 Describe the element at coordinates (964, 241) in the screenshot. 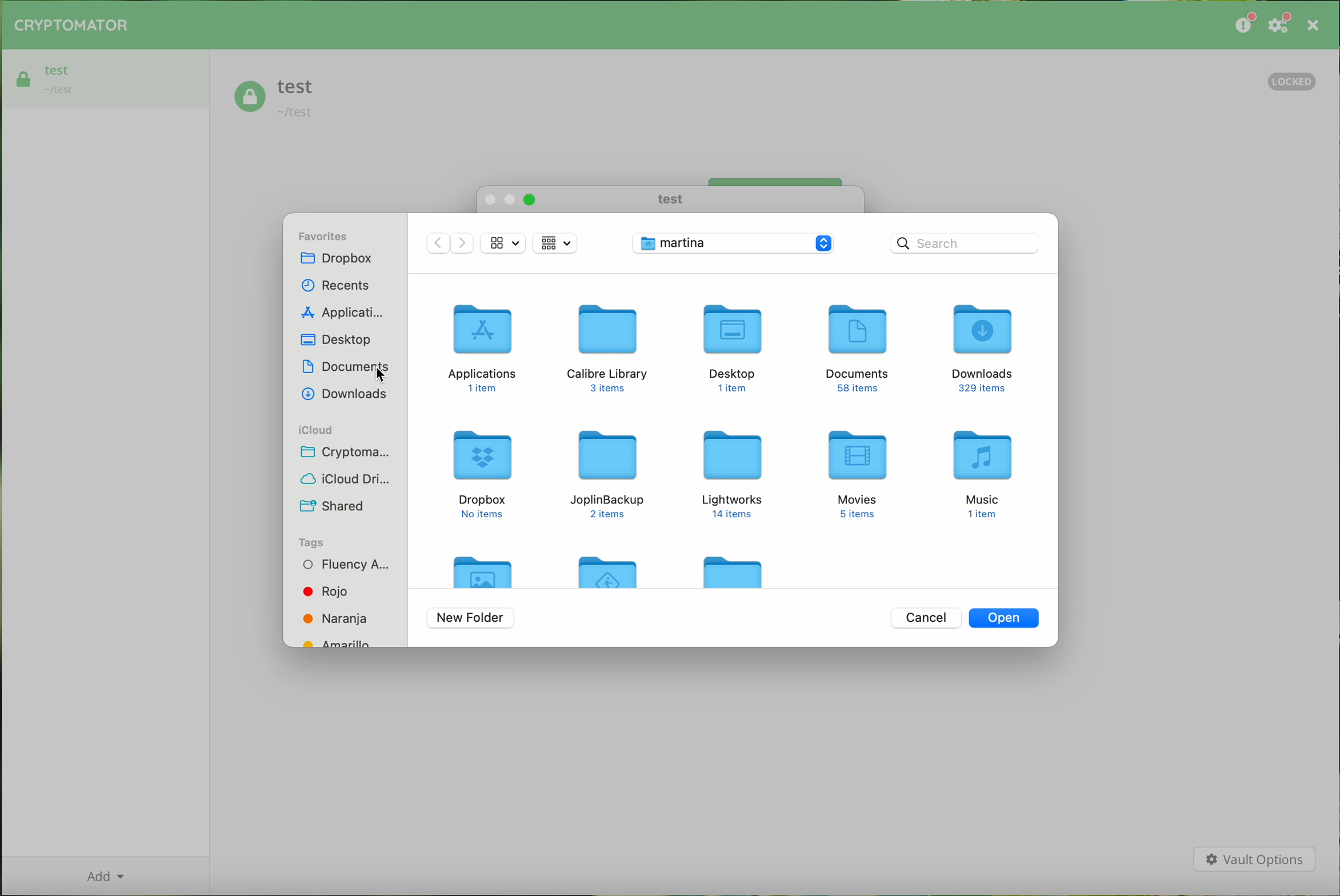

I see `search bar` at that location.